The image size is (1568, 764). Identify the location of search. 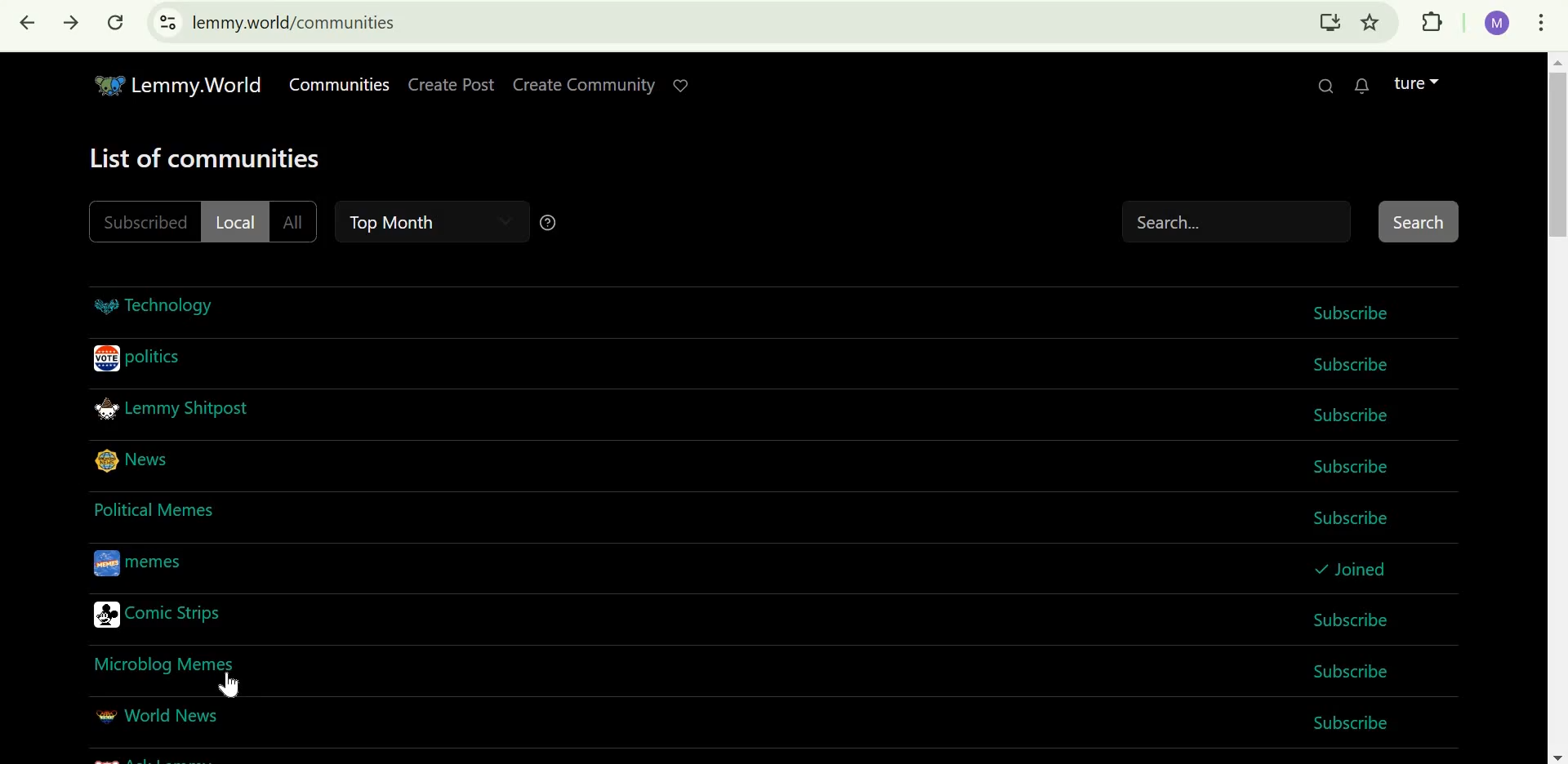
(1322, 87).